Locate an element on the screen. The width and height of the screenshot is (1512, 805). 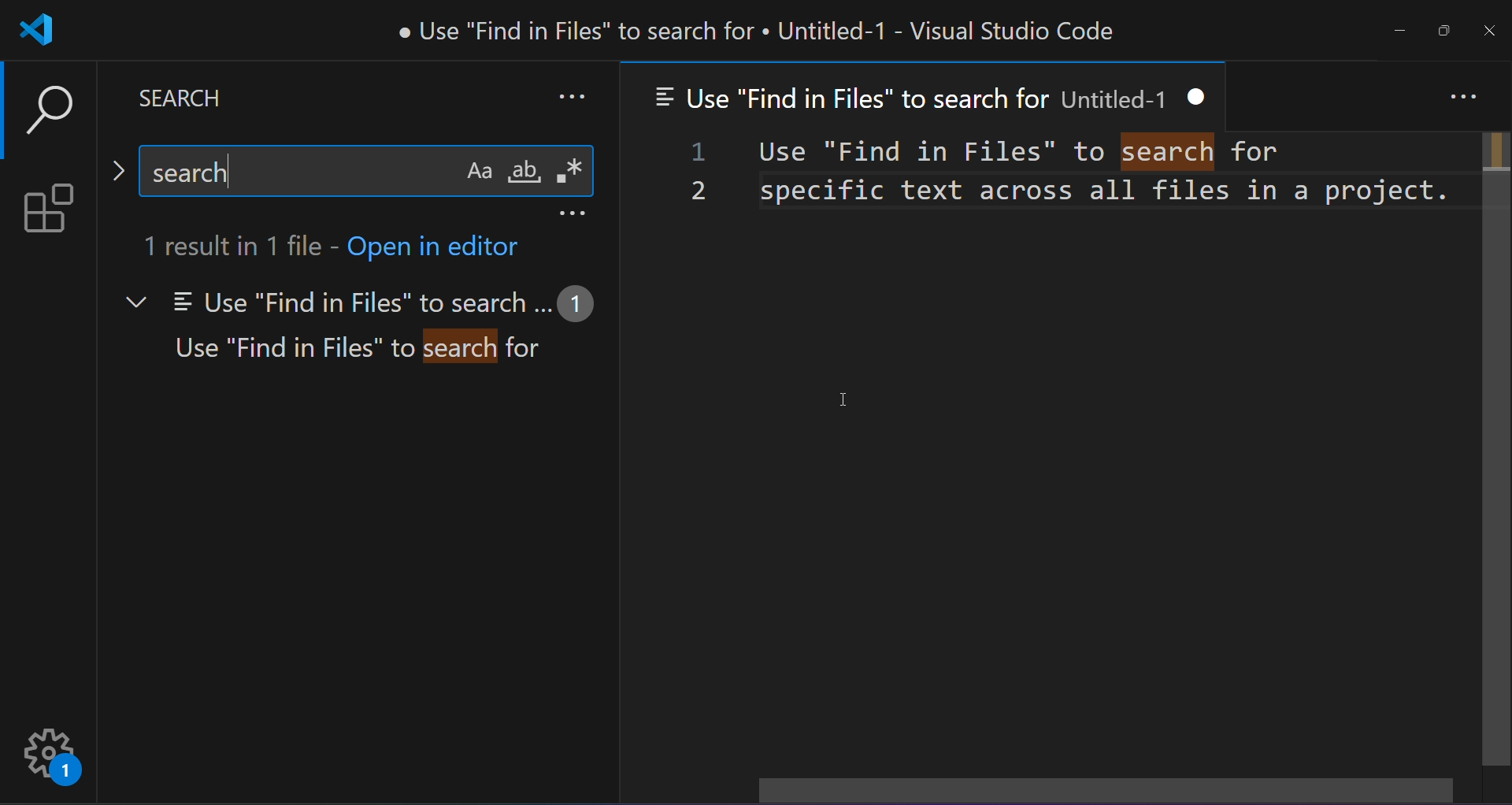
match case is located at coordinates (473, 169).